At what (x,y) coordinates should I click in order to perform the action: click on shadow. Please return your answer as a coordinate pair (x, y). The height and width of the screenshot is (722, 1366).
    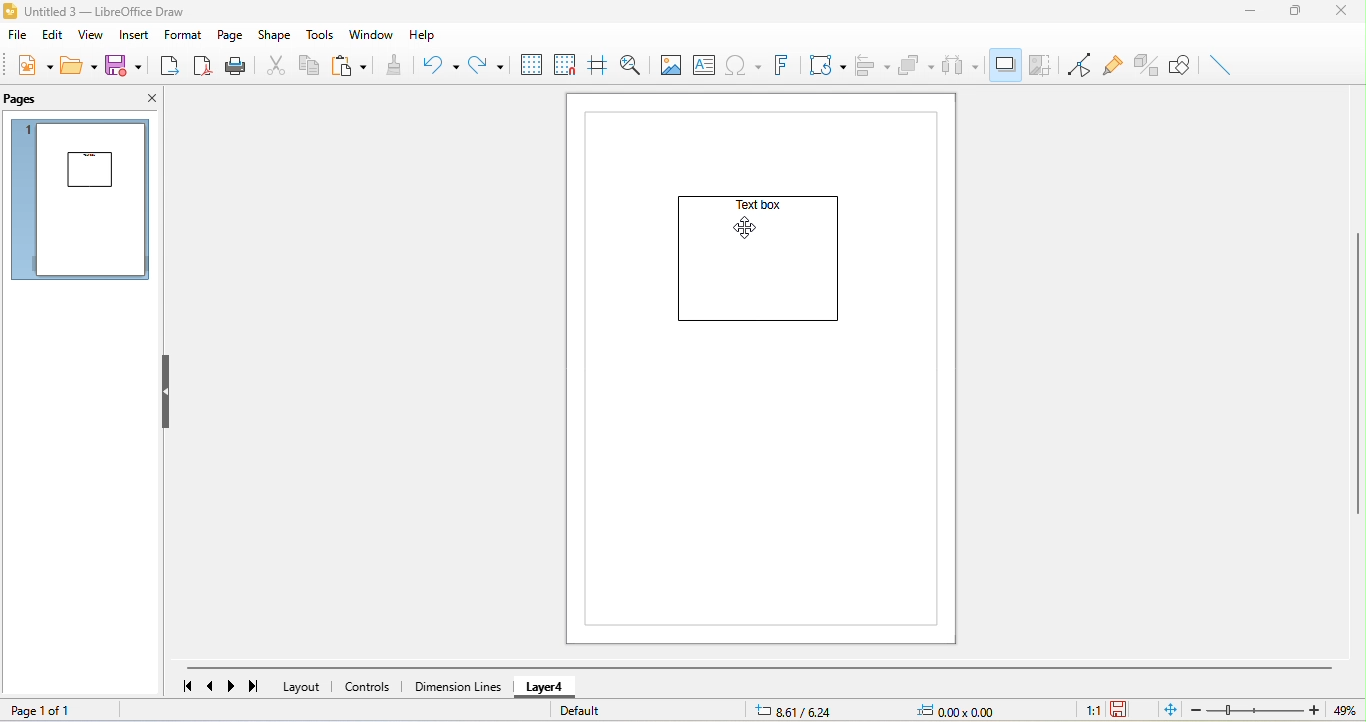
    Looking at the image, I should click on (1005, 63).